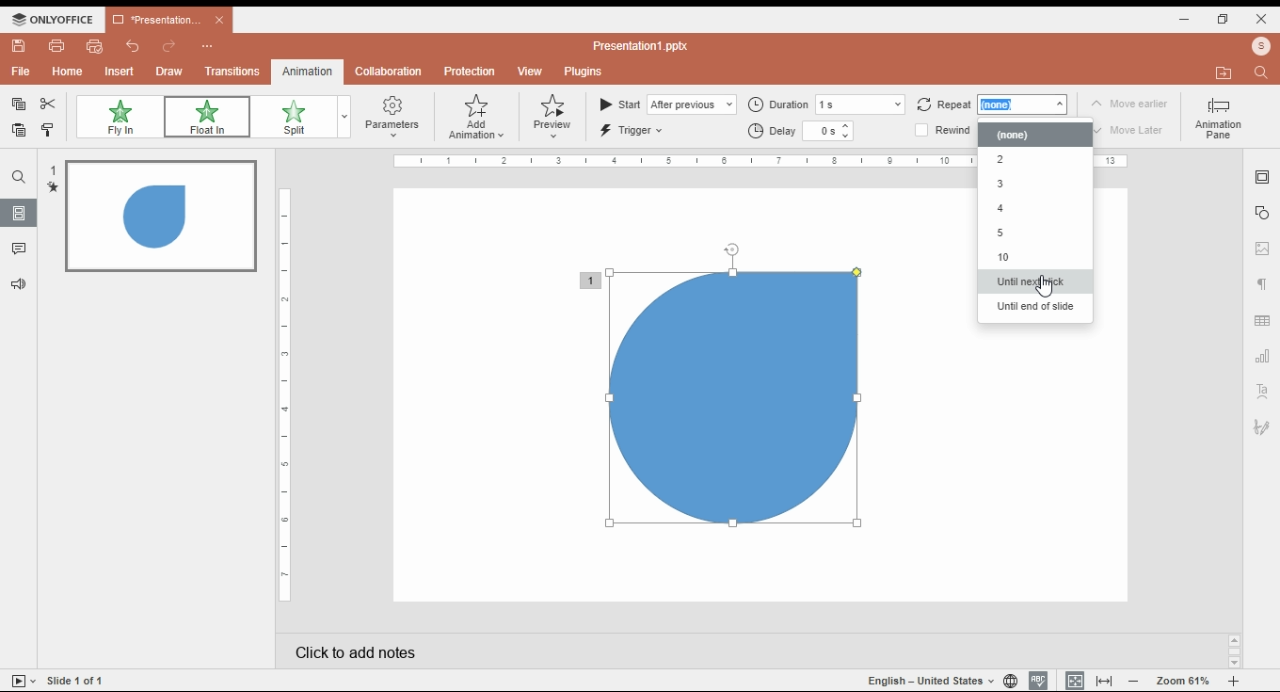 This screenshot has width=1280, height=692. What do you see at coordinates (119, 117) in the screenshot?
I see `fly in` at bounding box center [119, 117].